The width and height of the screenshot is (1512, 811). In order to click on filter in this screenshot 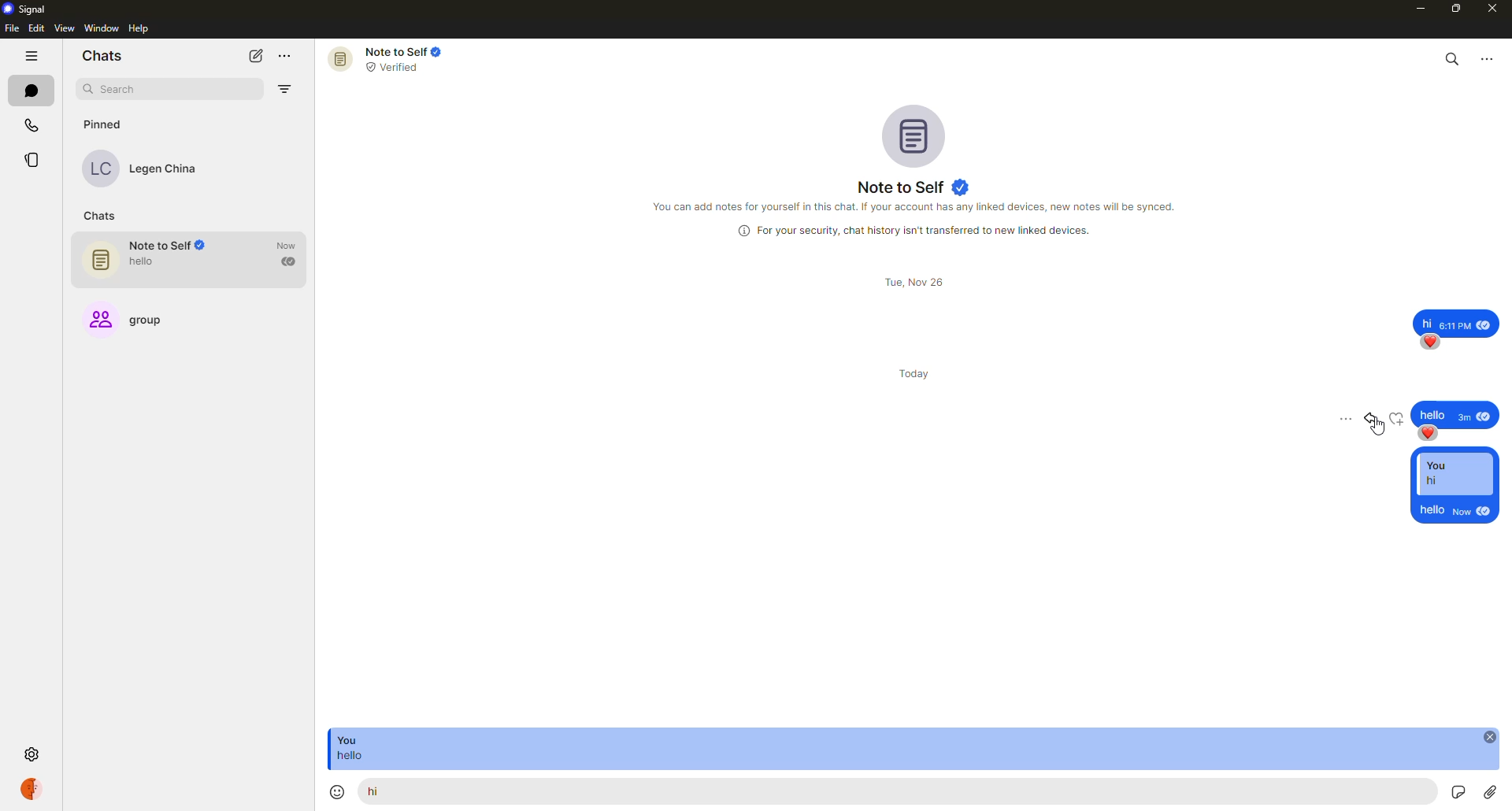, I will do `click(286, 91)`.